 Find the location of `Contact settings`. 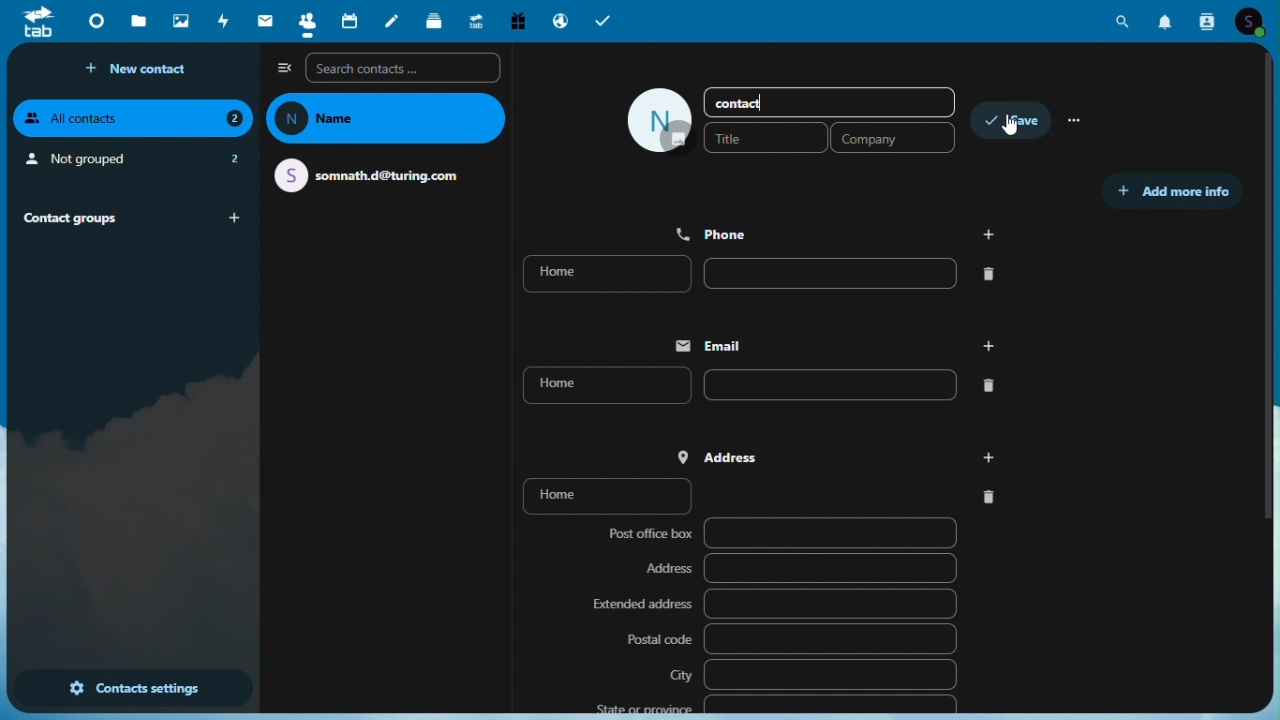

Contact settings is located at coordinates (131, 690).